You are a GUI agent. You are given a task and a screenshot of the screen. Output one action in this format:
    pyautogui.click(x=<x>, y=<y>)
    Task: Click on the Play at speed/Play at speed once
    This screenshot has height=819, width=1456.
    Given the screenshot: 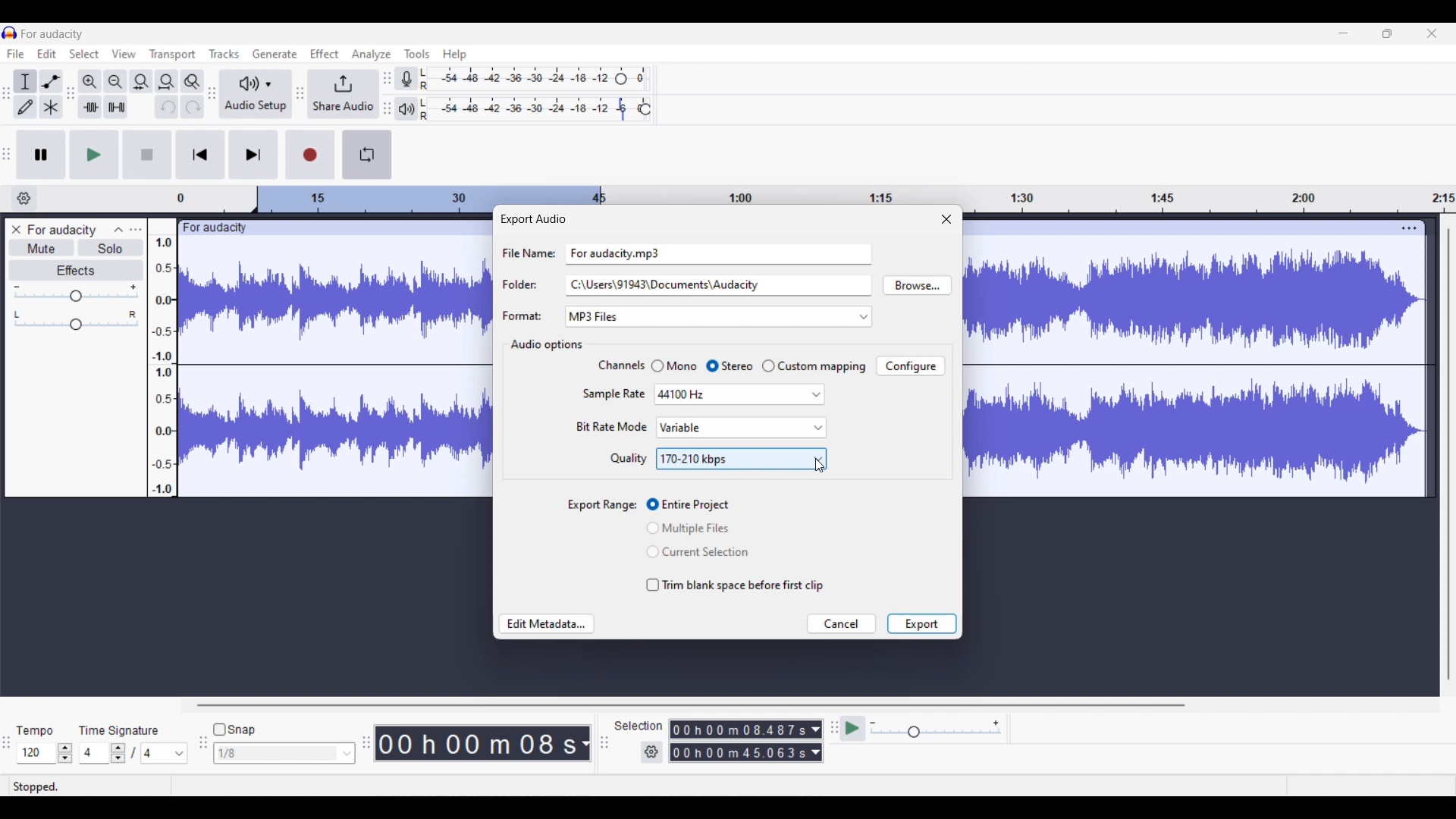 What is the action you would take?
    pyautogui.click(x=854, y=728)
    